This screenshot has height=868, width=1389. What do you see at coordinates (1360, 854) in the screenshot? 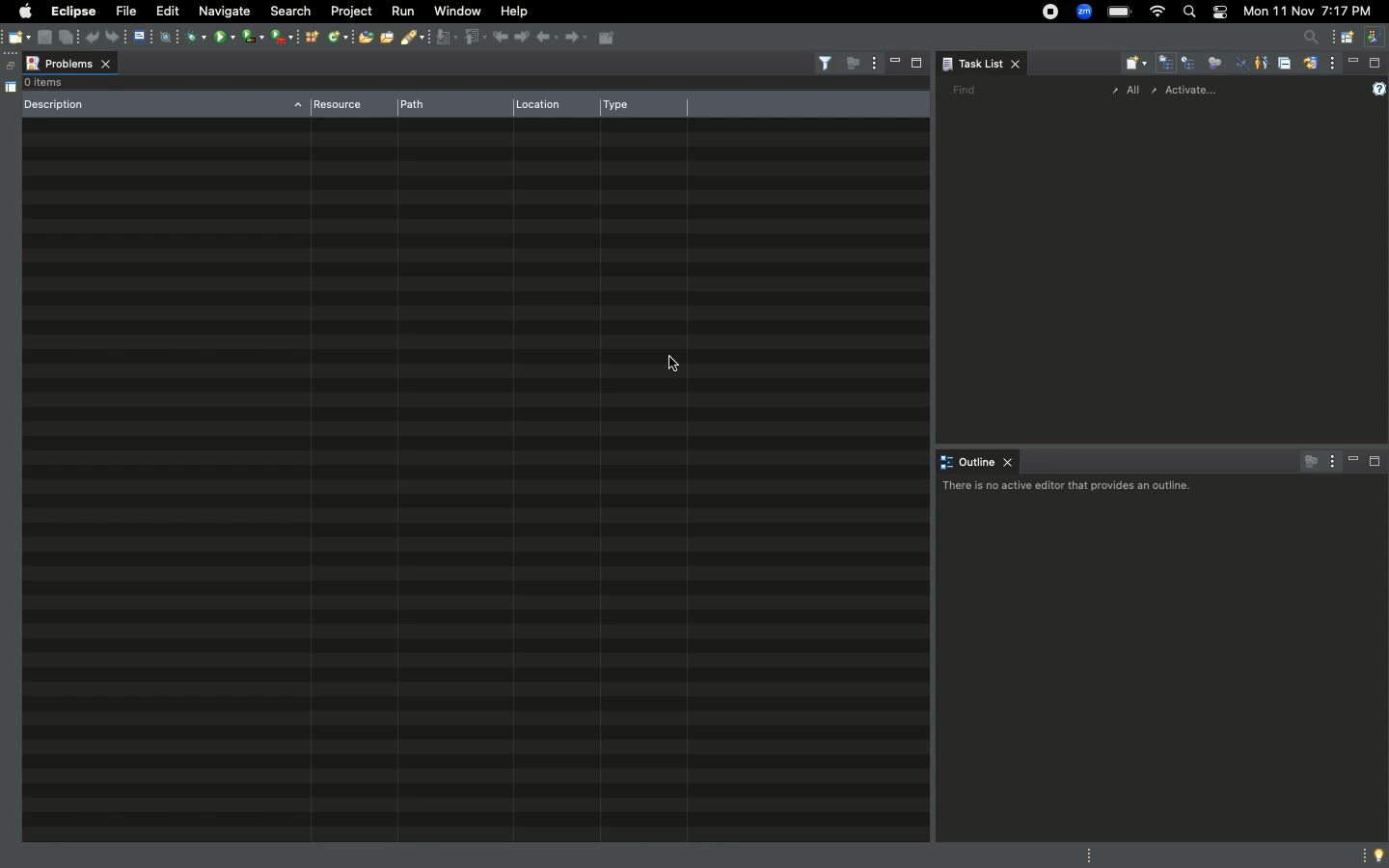
I see `more` at bounding box center [1360, 854].